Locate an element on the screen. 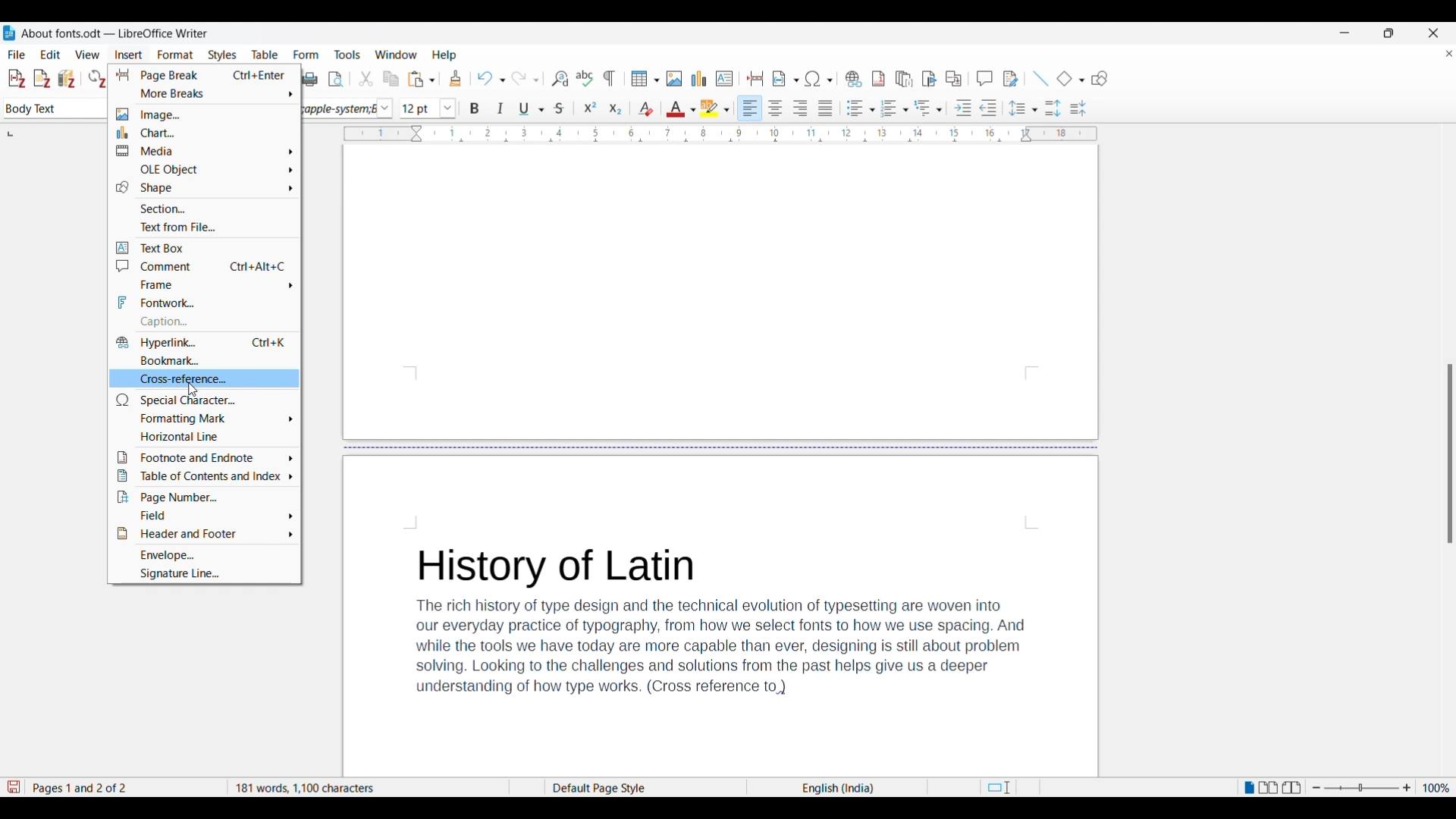 The image size is (1456, 819). Bold is located at coordinates (475, 109).